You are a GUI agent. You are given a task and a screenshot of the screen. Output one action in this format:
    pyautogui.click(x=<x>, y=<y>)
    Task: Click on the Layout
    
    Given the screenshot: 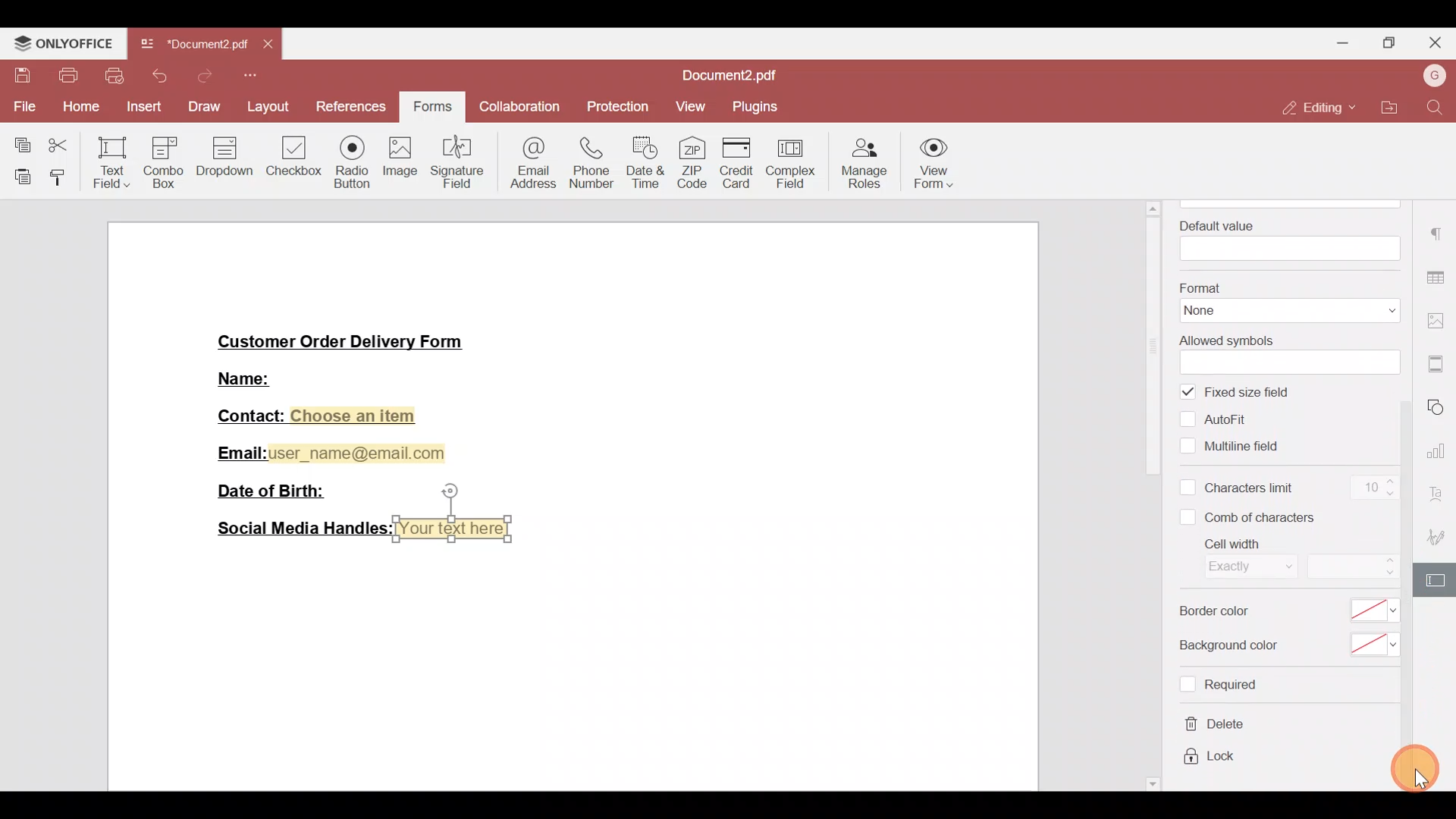 What is the action you would take?
    pyautogui.click(x=266, y=105)
    